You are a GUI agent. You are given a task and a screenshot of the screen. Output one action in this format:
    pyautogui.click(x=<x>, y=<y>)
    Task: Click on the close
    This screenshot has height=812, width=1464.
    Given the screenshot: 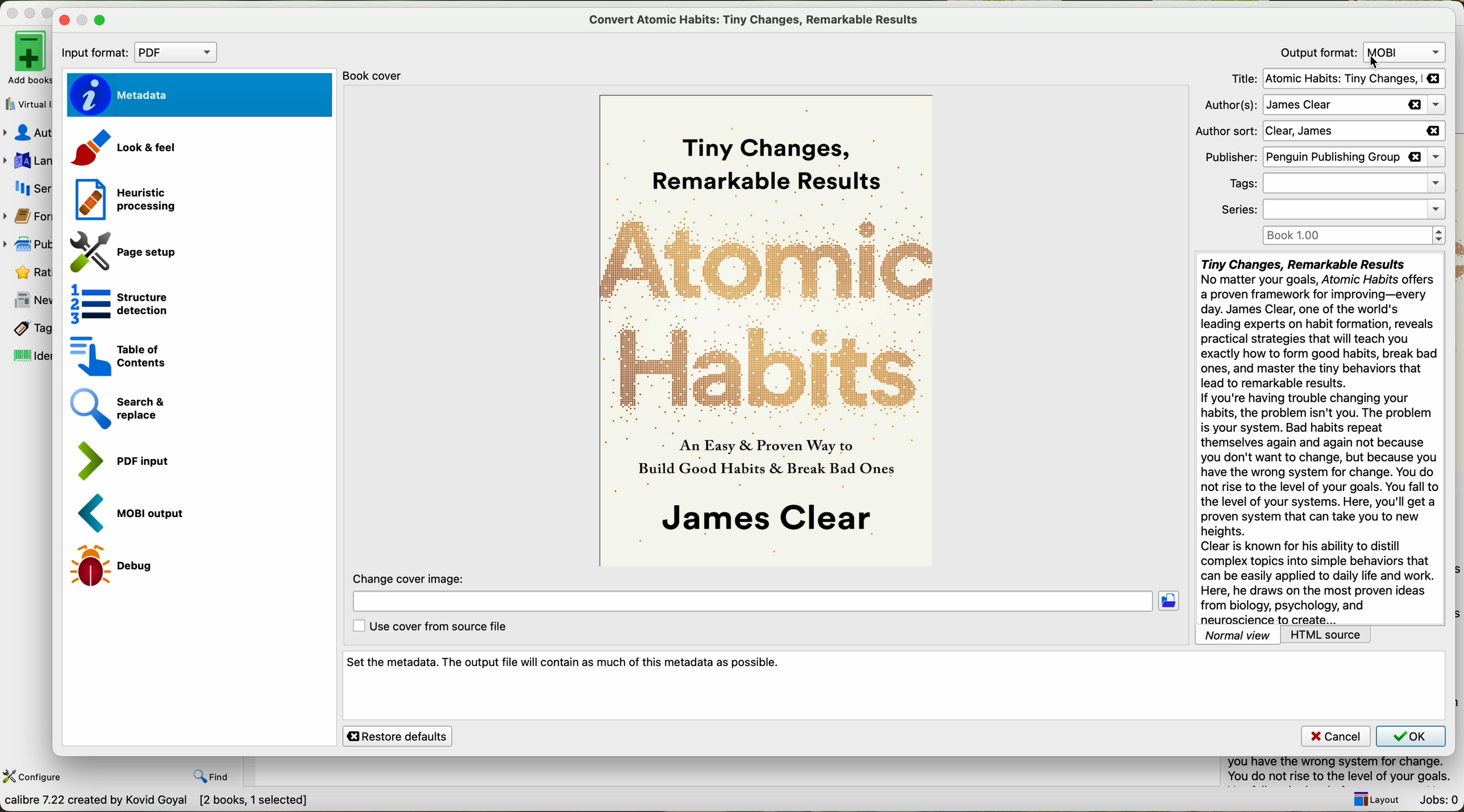 What is the action you would take?
    pyautogui.click(x=63, y=20)
    